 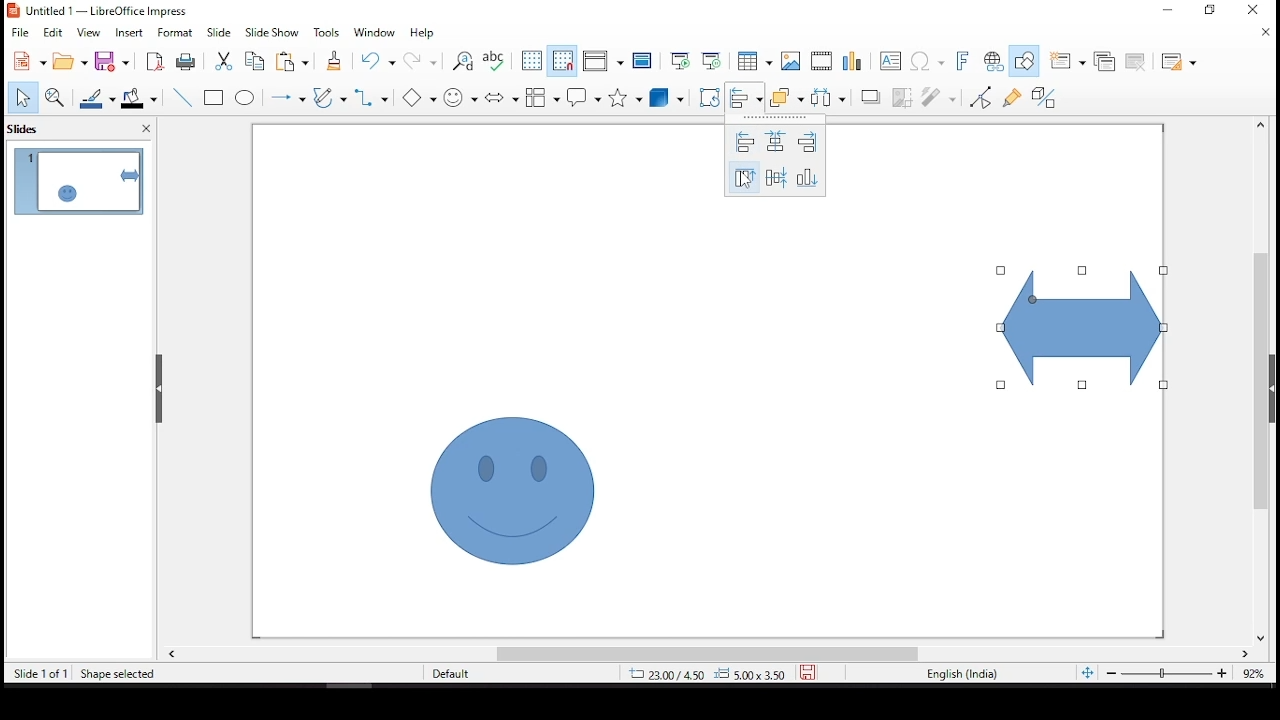 I want to click on edit, so click(x=53, y=33).